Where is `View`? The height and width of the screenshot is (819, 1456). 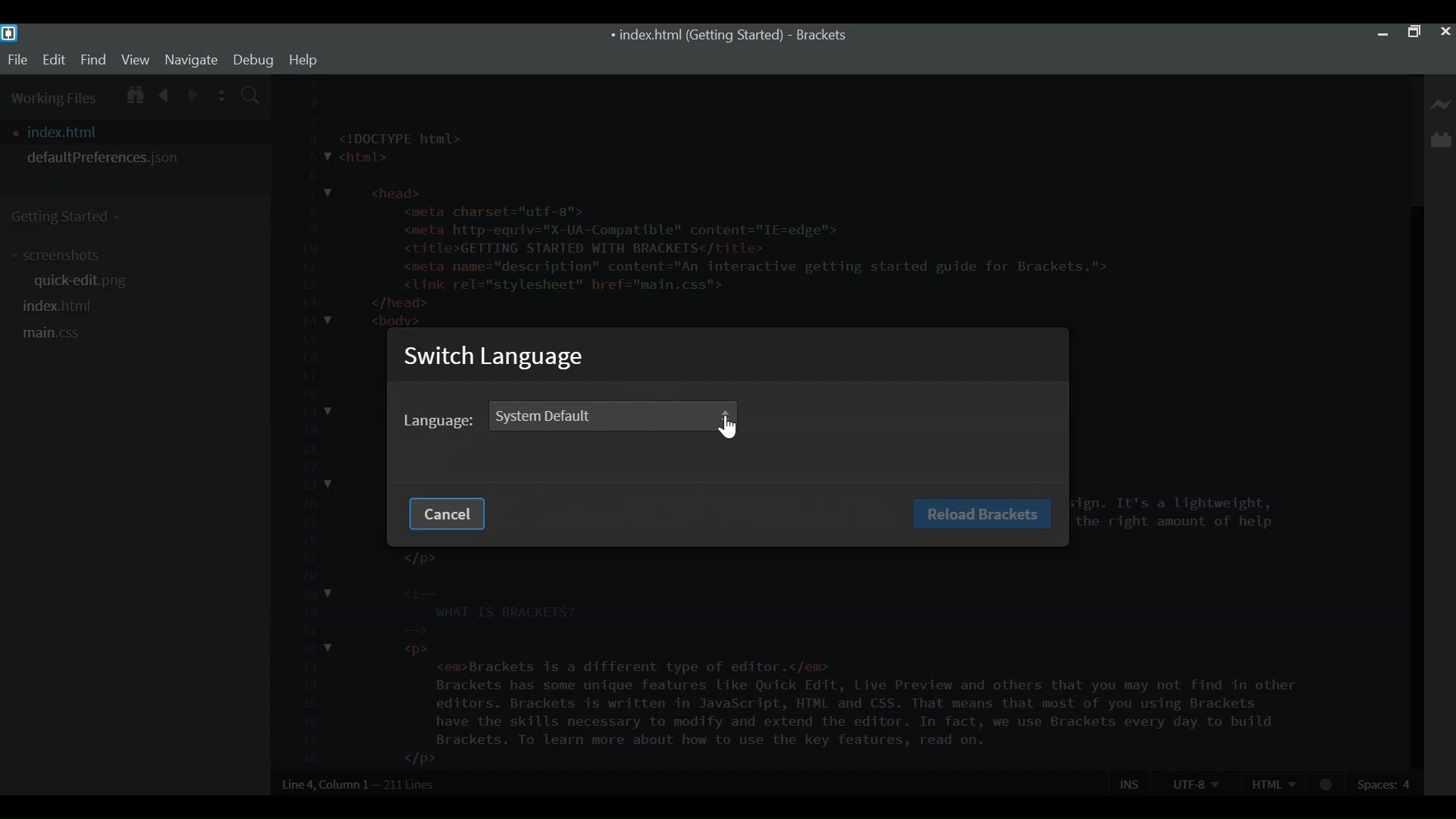 View is located at coordinates (136, 59).